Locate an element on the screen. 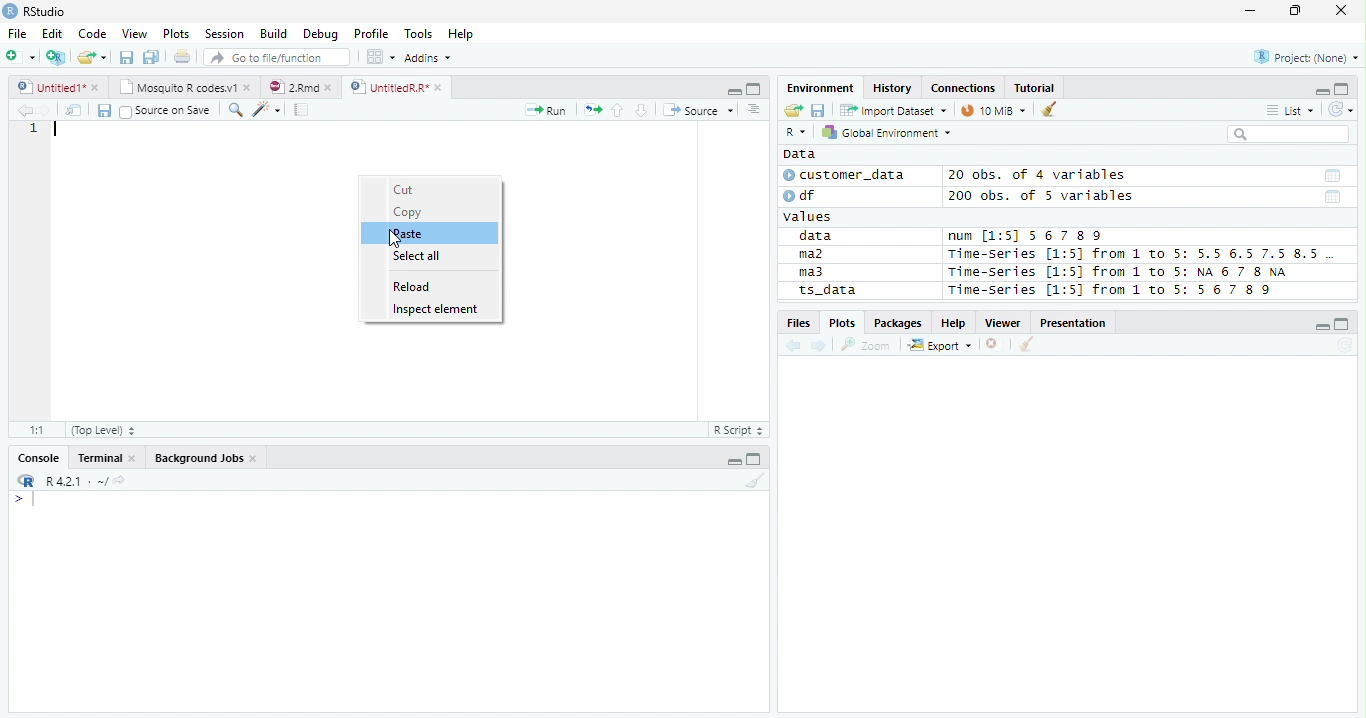  Minimize is located at coordinates (1323, 328).